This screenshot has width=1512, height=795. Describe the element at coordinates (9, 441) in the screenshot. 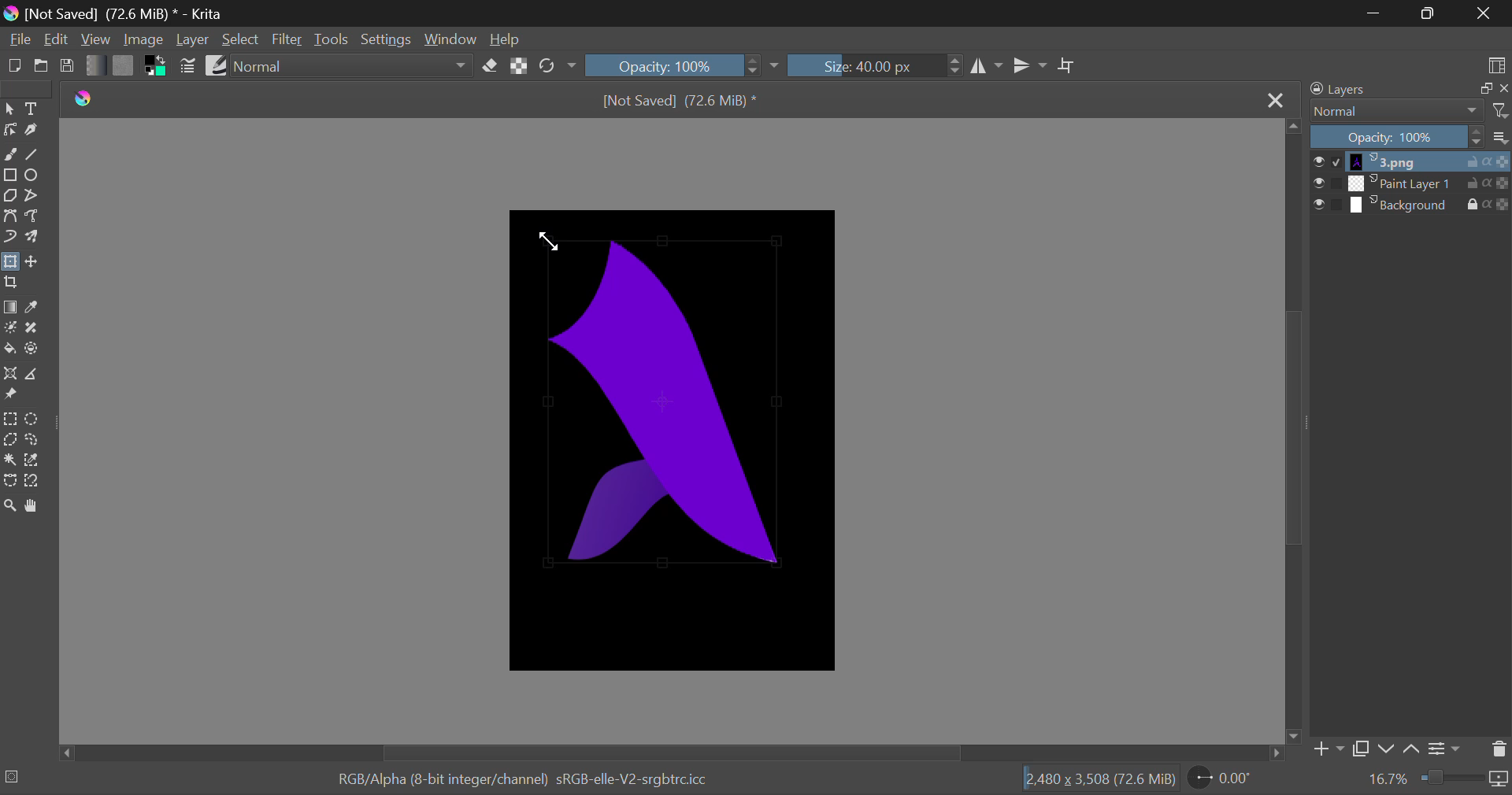

I see `Polygon Selection Tool` at that location.